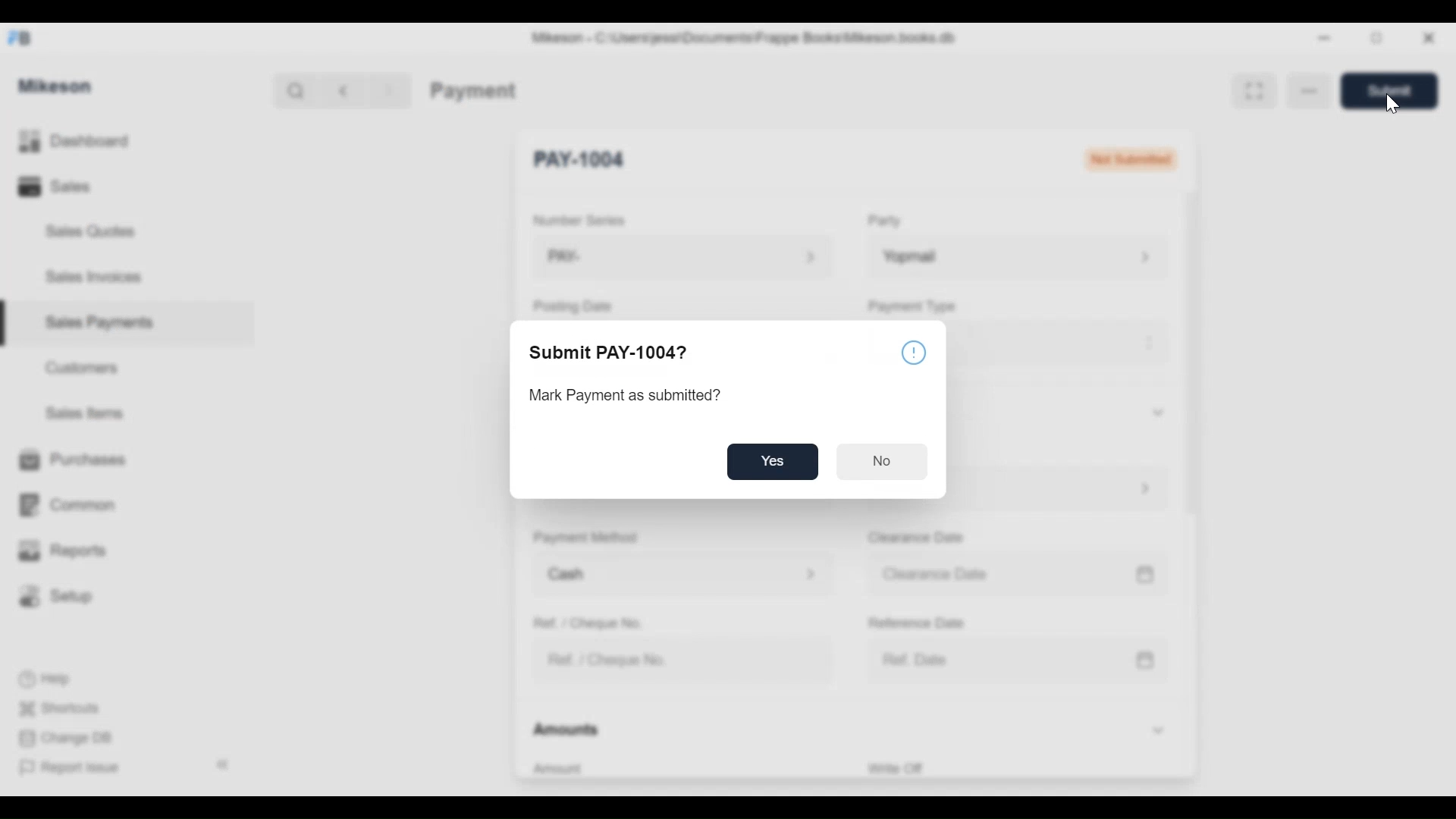 The image size is (1456, 819). What do you see at coordinates (99, 142) in the screenshot?
I see `Dashboard` at bounding box center [99, 142].